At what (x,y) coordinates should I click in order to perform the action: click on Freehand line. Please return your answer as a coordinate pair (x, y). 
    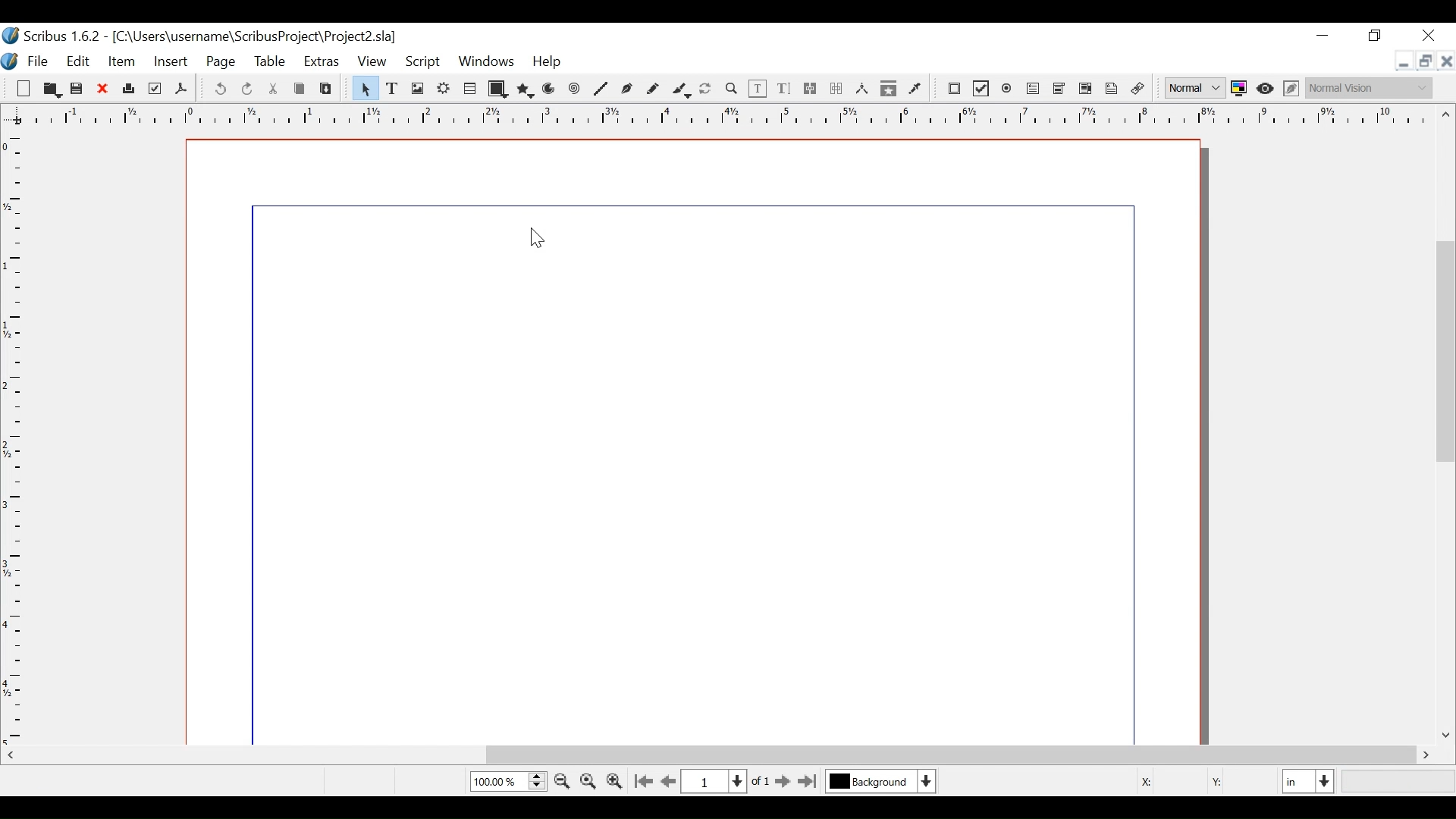
    Looking at the image, I should click on (654, 89).